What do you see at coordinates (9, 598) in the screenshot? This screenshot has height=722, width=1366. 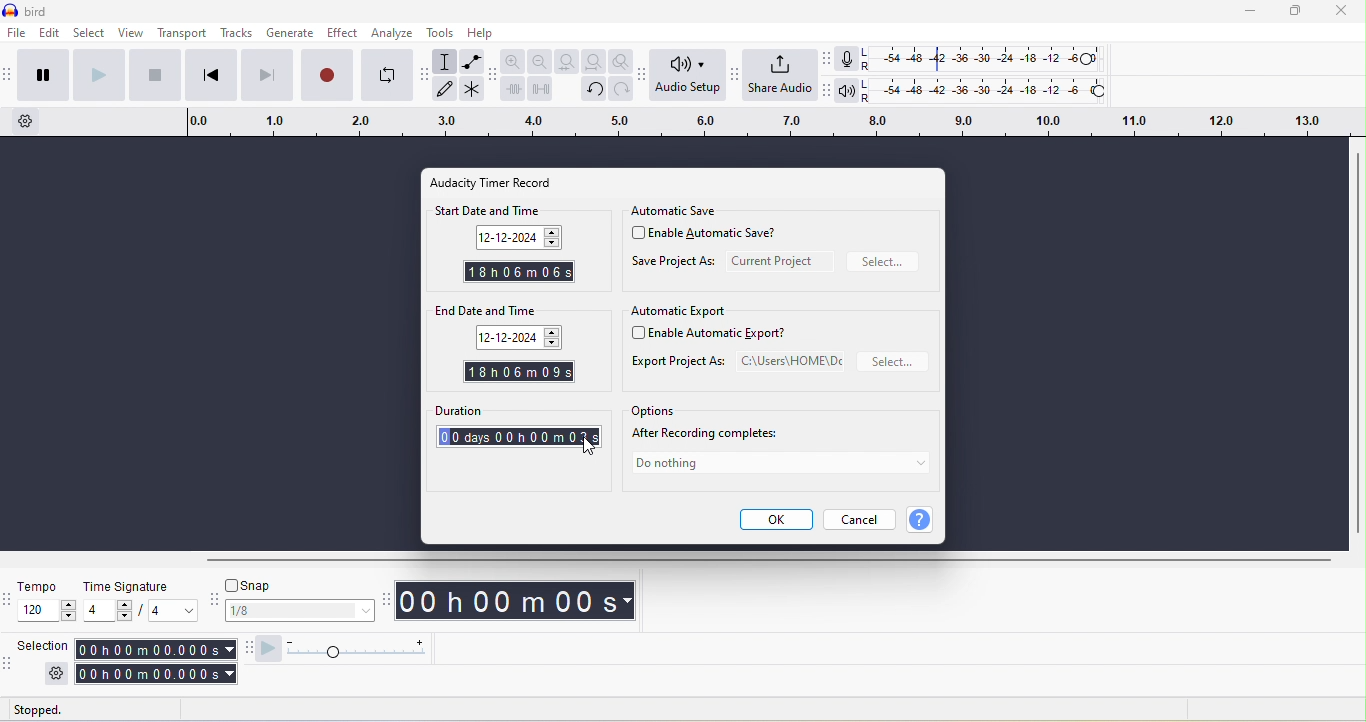 I see `audacity time signature toolbar` at bounding box center [9, 598].